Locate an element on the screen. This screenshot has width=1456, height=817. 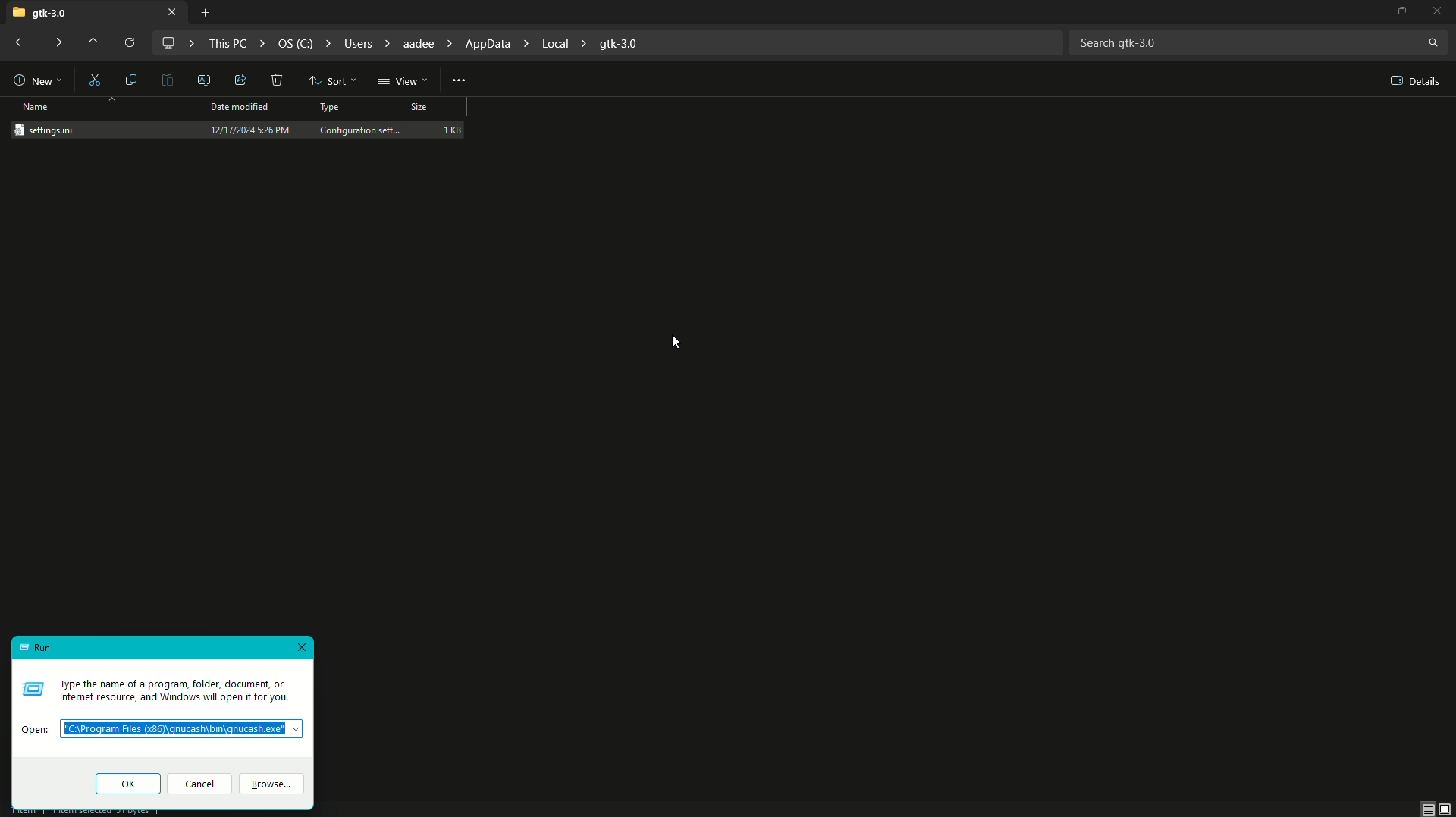
Configuration settings is located at coordinates (362, 129).